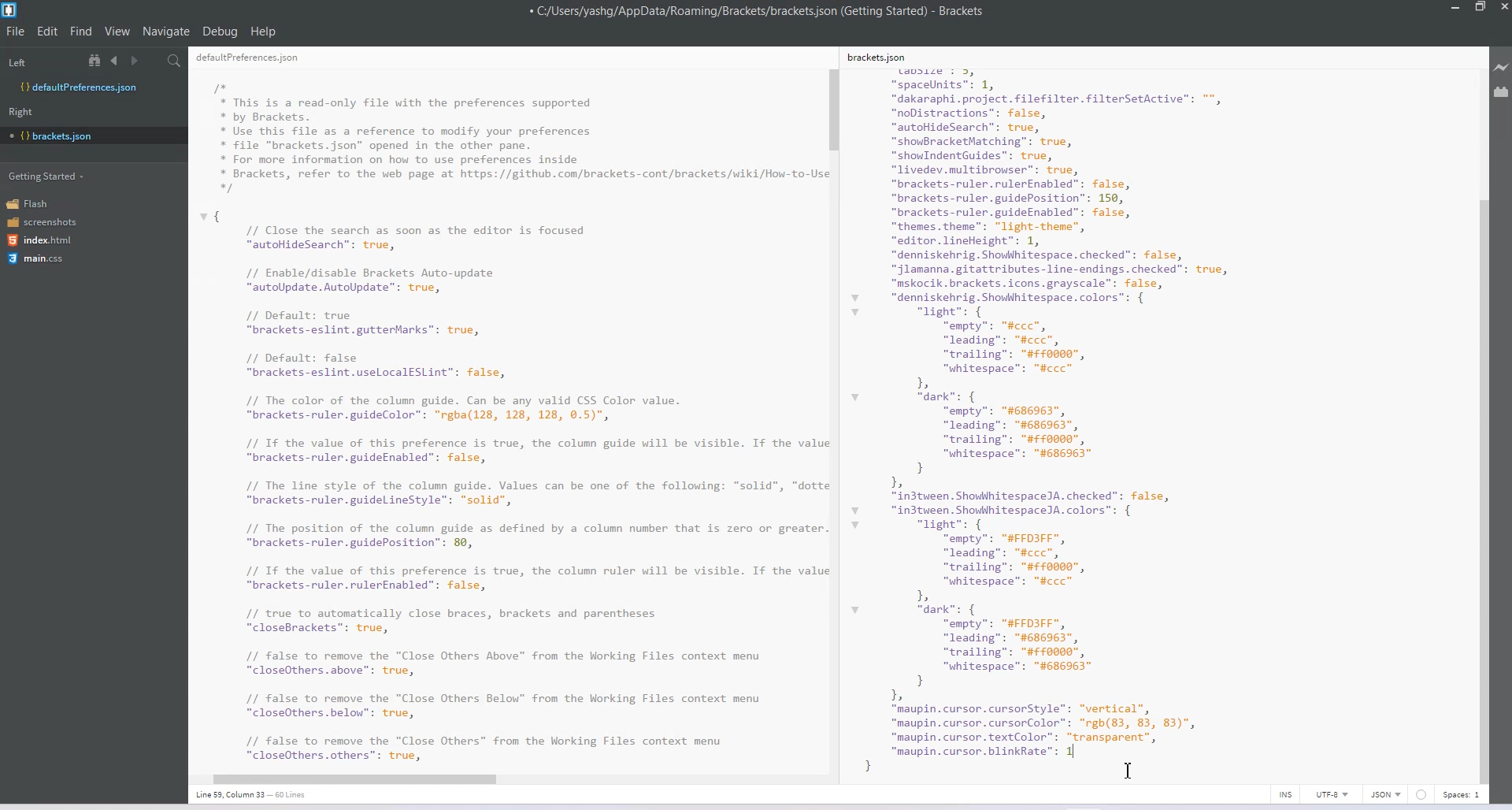  Describe the element at coordinates (1076, 411) in the screenshot. I see `kets. son
size : 3,
“spacelnits": 1,
“dakaraphi.project. filefilter. filterSetActive”: "*,
“noDistractions”: false,
“autohideSearch”: true,
“showBracketMatching”: true,
“showIndentGuides”: true,
“livedev.multibrowser”: true,
“brackets-ruler.rulerEnabled": false,
“brackets-ruler.guidePosition”: 150,
“brackets-ruler.guideEnabled": false,
“themes theme": "light-theme",
“editor. lineHeight": 1,
“denniskehrig. Showhhitespace. checked": false,
“jlamanna.gitattributes-line-endings. checked": true,
“mskocik.brackets.icons.grayscale": false,
“denniskehrig. Showhitespace. colors”: {
“light”: {
“empty”: "#ccc”,
“leading”: "#ccc”,
“trailing”: "#0000",
“whitespace”: "#ccc”
b
“dark”: {
“empty”: "#686963",
["leading”: "#686963",
“trailing”: "#0000",
“whitespace”: "#686963"
}
Ia
“in3tween. ShowhhitespaceJA. checked": false,
“in3tween. ShowhhitespaceJA. colors”: {
“light”: {
“empty”: "#FFDIFF",
“leading”: "#ccc”,
“trailing”: "#0000",
“whitespace”: "#ccc”
bh
“dark”: {
“empty”: "#FFDIFF",
“leading”: "#686963",
“trailing”: "#0000",
“whitespace”: "#686963"
}
b
“maupin. cursor. cursorStyle”: “vertical”,
“maupin. cursor. cursorColor™: "rgh(83, 83, 83)",
“maupin.cursor.textColor”: “transparent”,
“maupin. cursor. blinkRate": 1000 |
:` at that location.